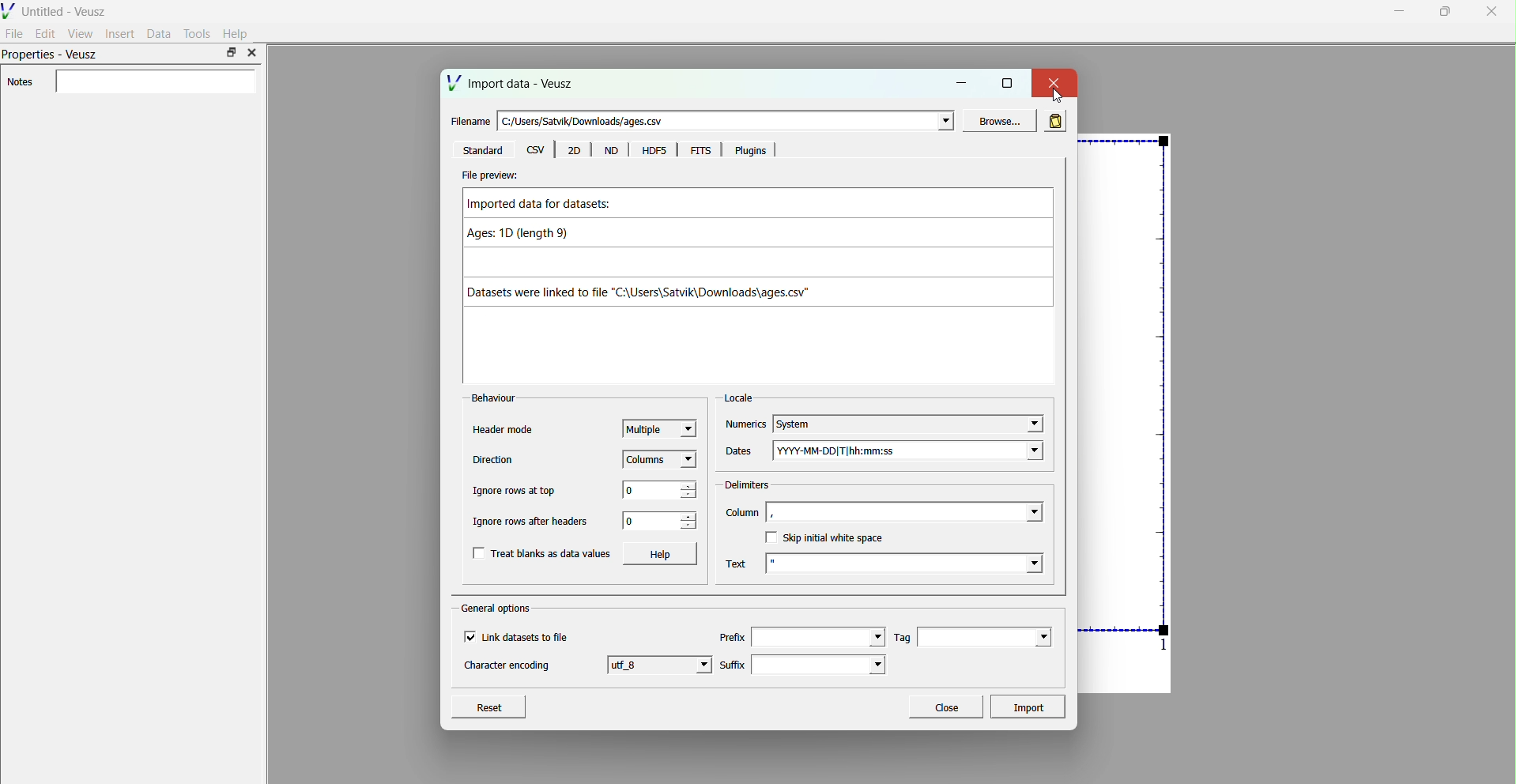 This screenshot has width=1516, height=784. What do you see at coordinates (689, 514) in the screenshot?
I see `increase` at bounding box center [689, 514].